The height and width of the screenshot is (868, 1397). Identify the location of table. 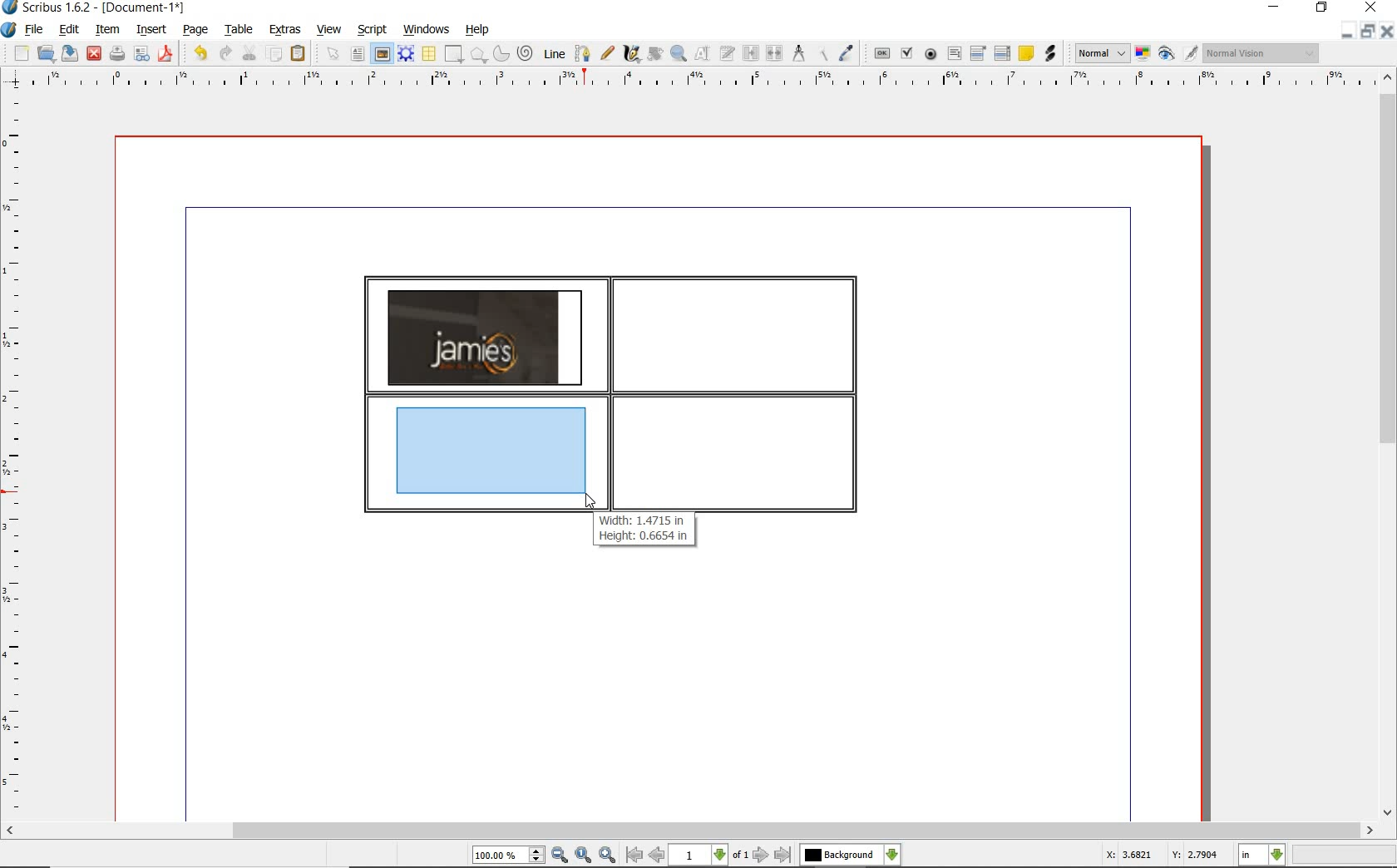
(240, 31).